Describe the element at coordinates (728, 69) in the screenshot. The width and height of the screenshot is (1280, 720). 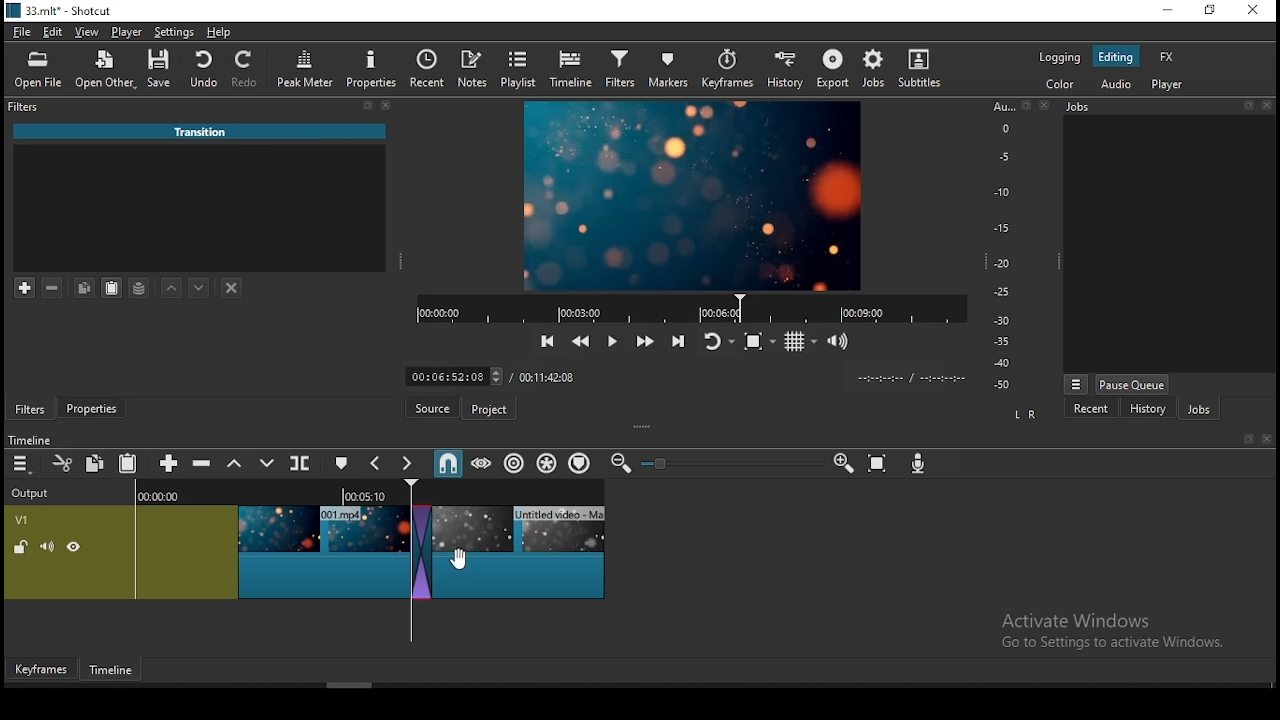
I see `keyframes` at that location.